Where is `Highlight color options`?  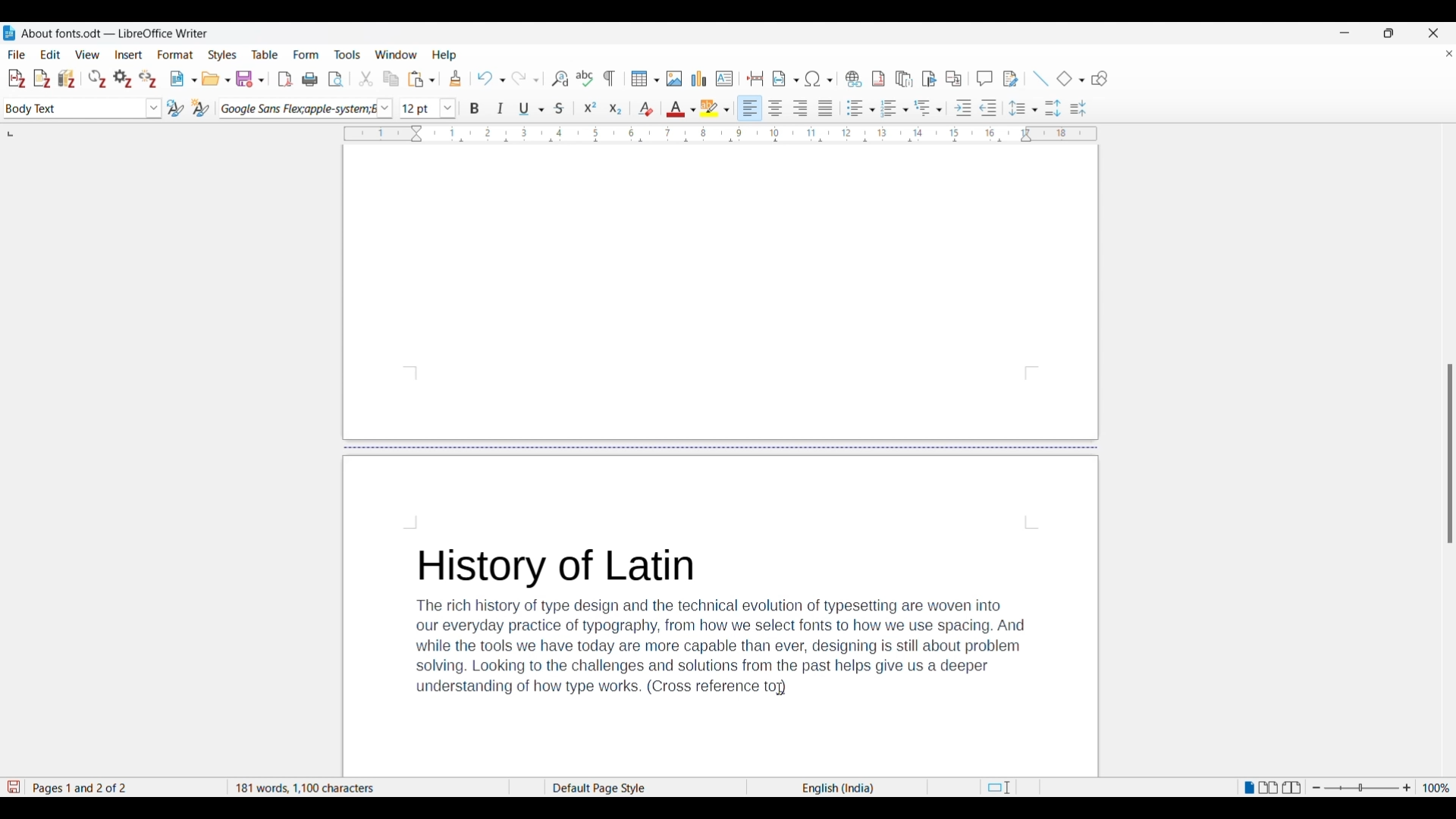
Highlight color options is located at coordinates (714, 108).